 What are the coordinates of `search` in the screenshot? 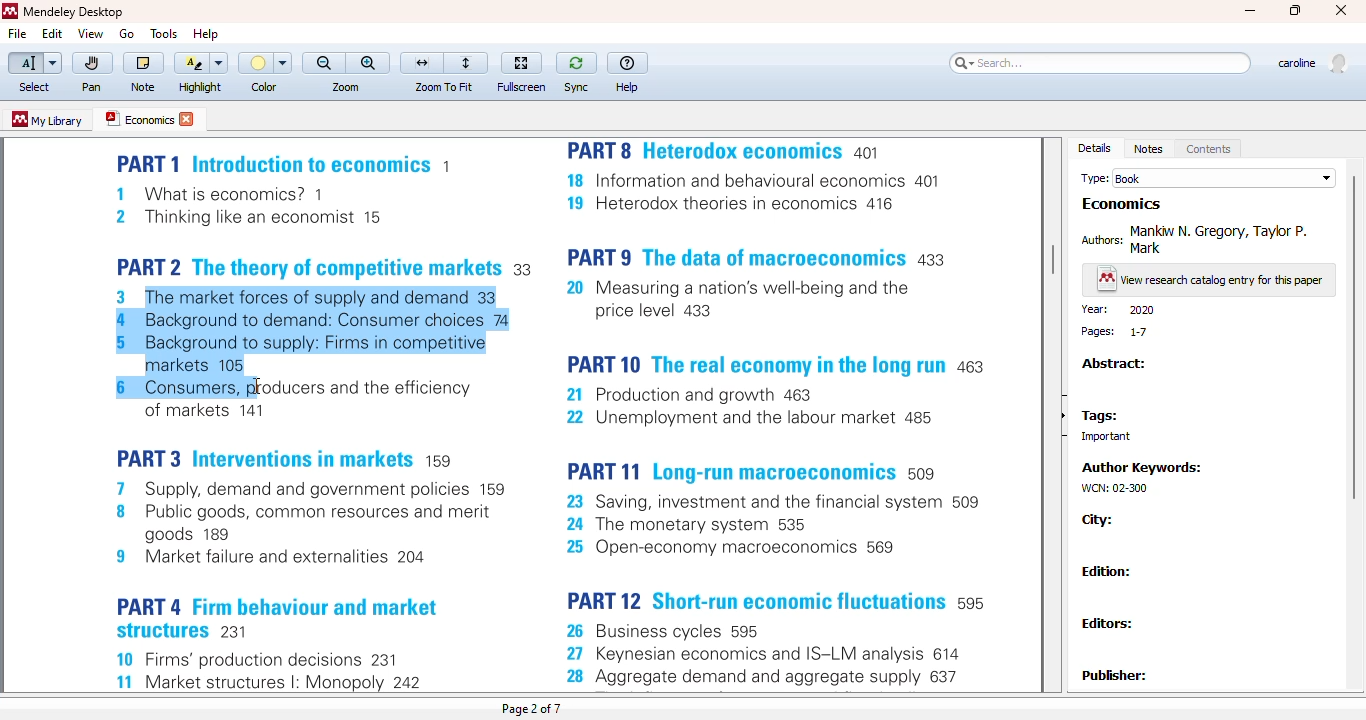 It's located at (1100, 63).